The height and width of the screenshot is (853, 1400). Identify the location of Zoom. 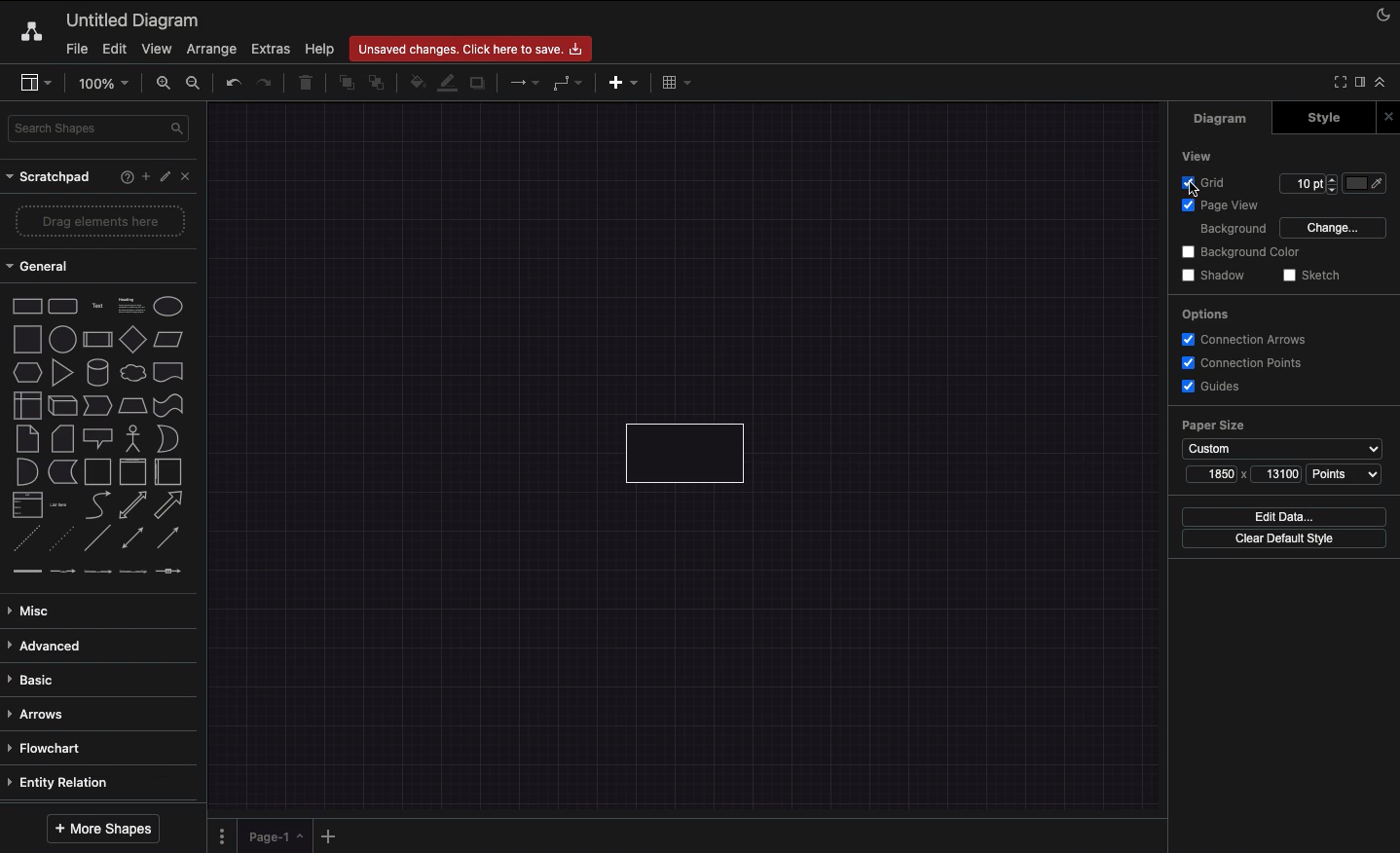
(105, 86).